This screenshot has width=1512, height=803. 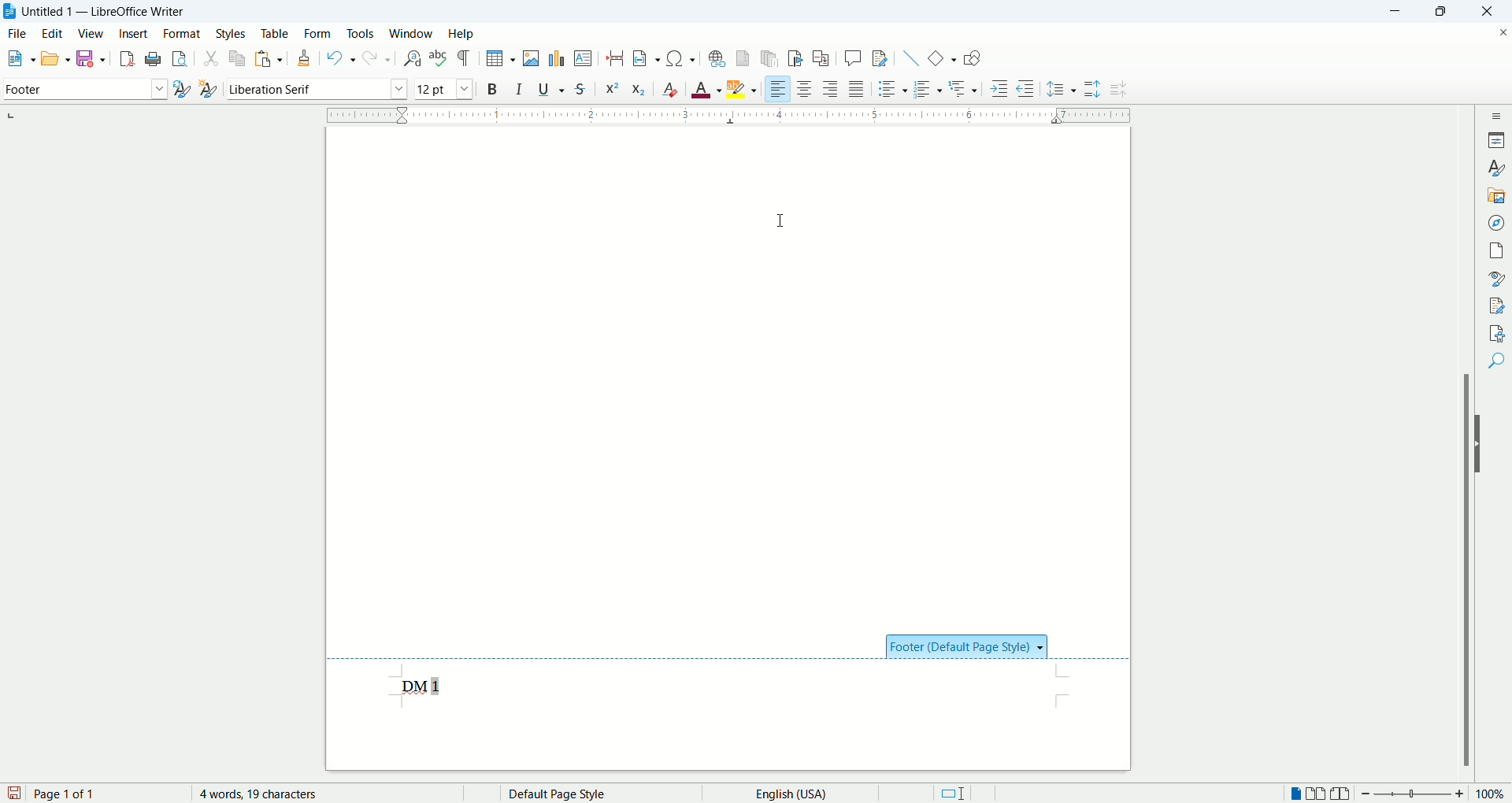 What do you see at coordinates (411, 58) in the screenshot?
I see `find and replace` at bounding box center [411, 58].